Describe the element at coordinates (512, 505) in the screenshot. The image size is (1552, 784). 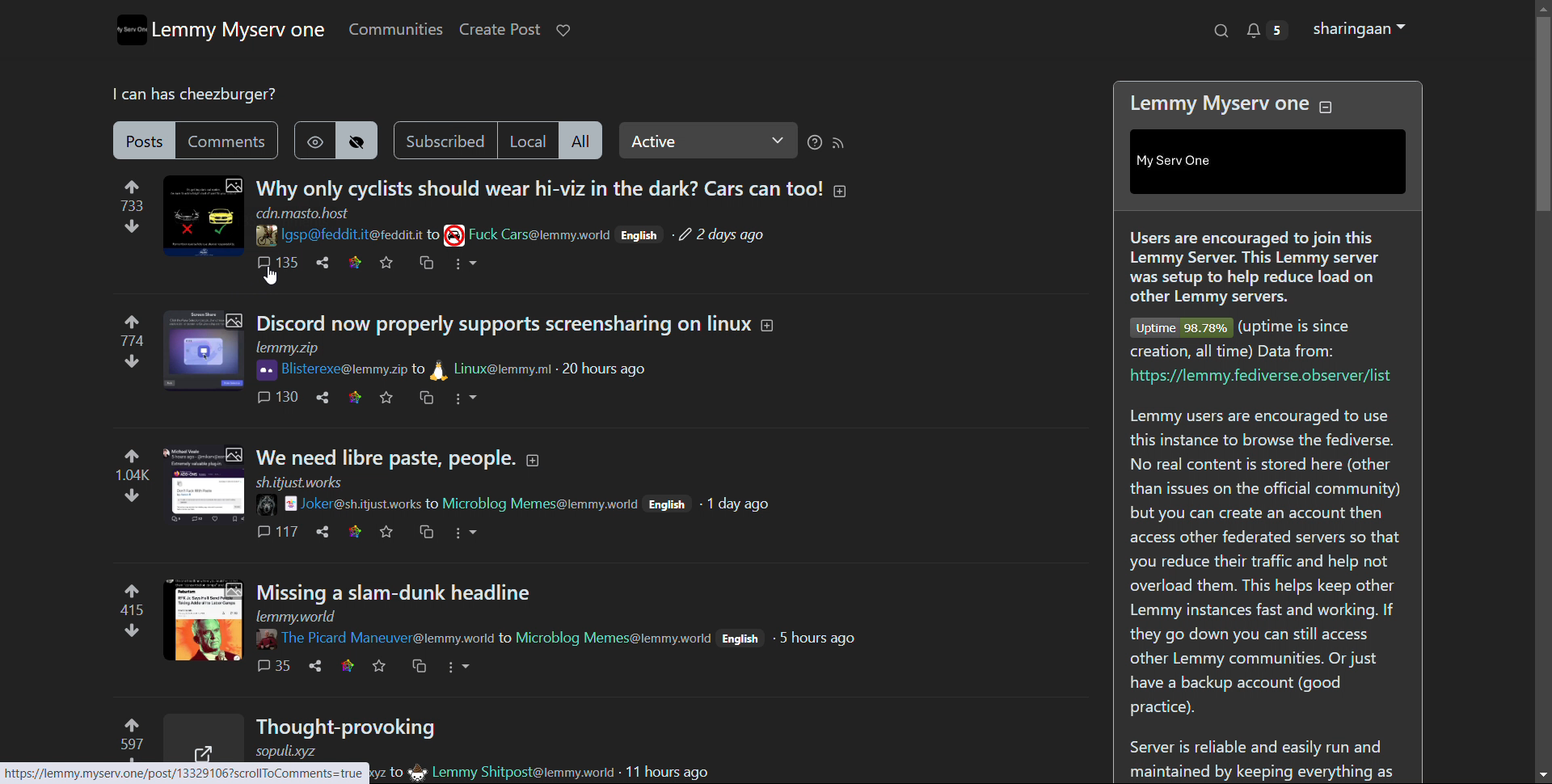
I see `ll + BJoker@shitjustworks to Microblog Memes@lemmy.world English - 1 day ago` at that location.